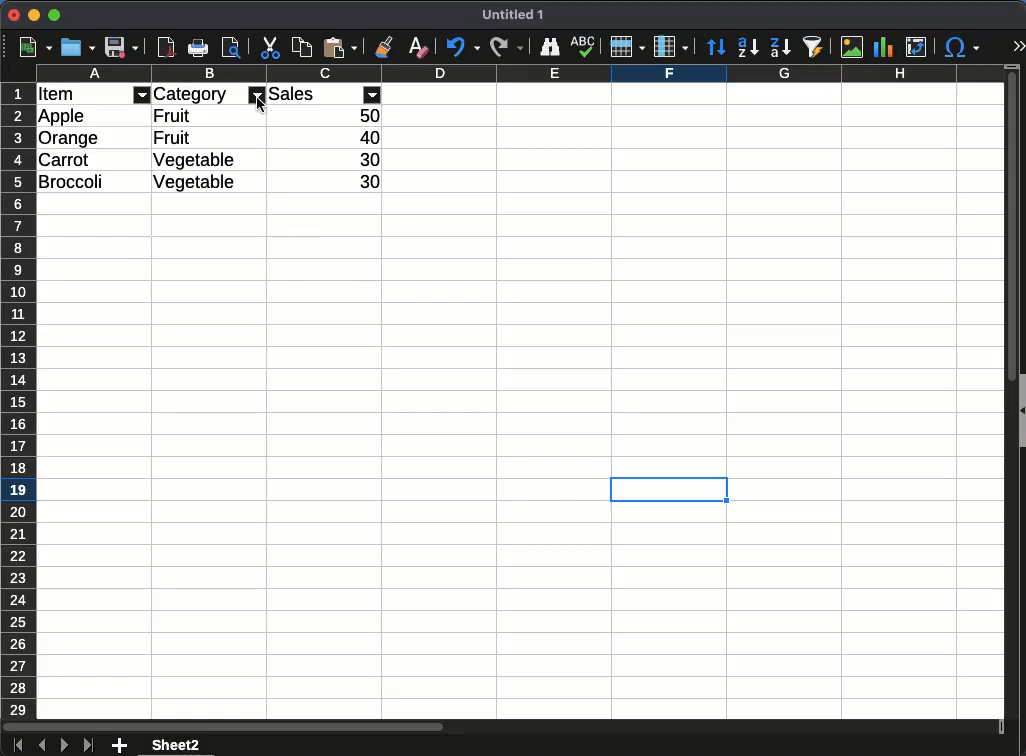 Image resolution: width=1026 pixels, height=756 pixels. What do you see at coordinates (119, 746) in the screenshot?
I see `add` at bounding box center [119, 746].